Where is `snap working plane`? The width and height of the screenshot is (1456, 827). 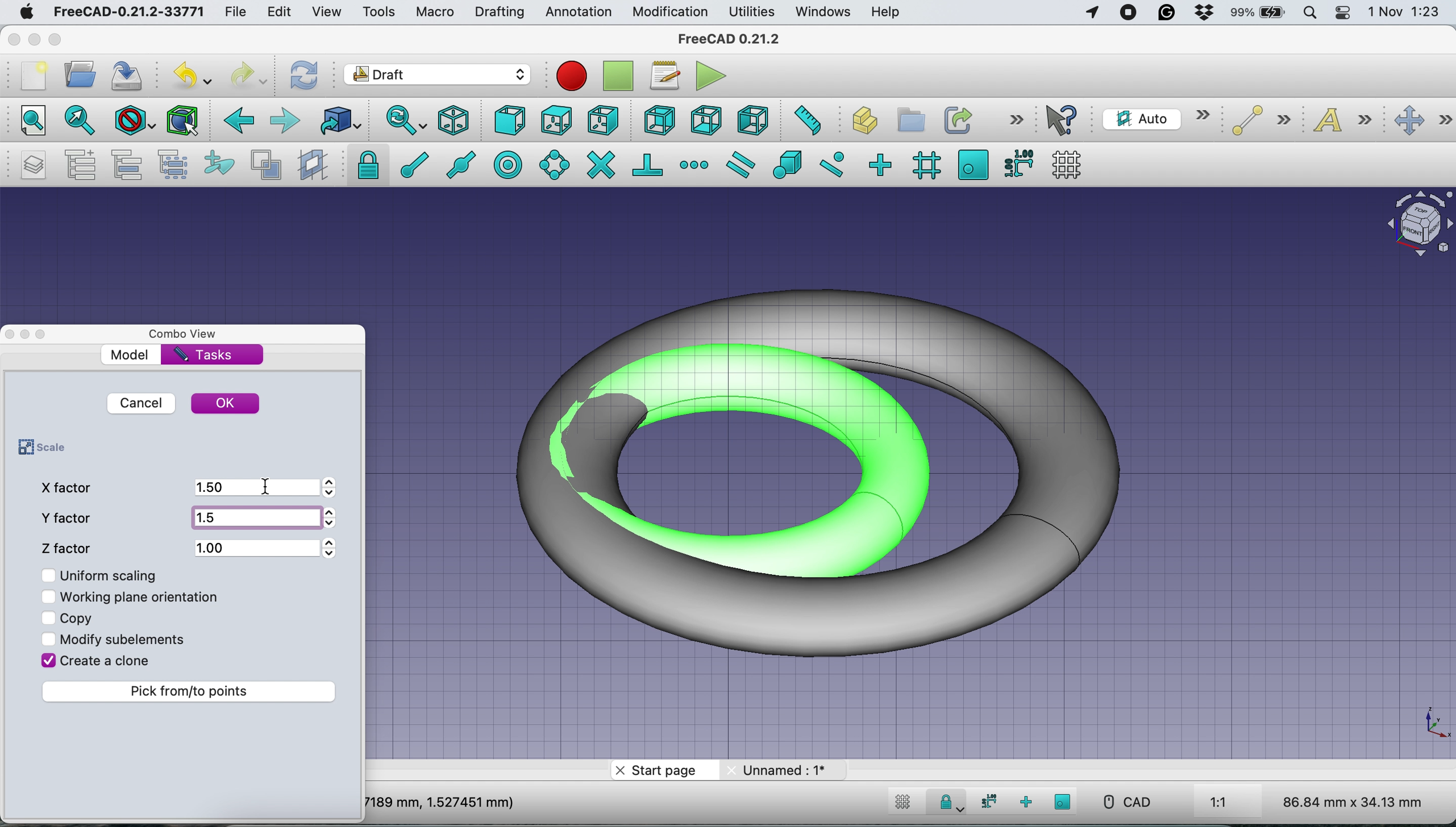 snap working plane is located at coordinates (973, 164).